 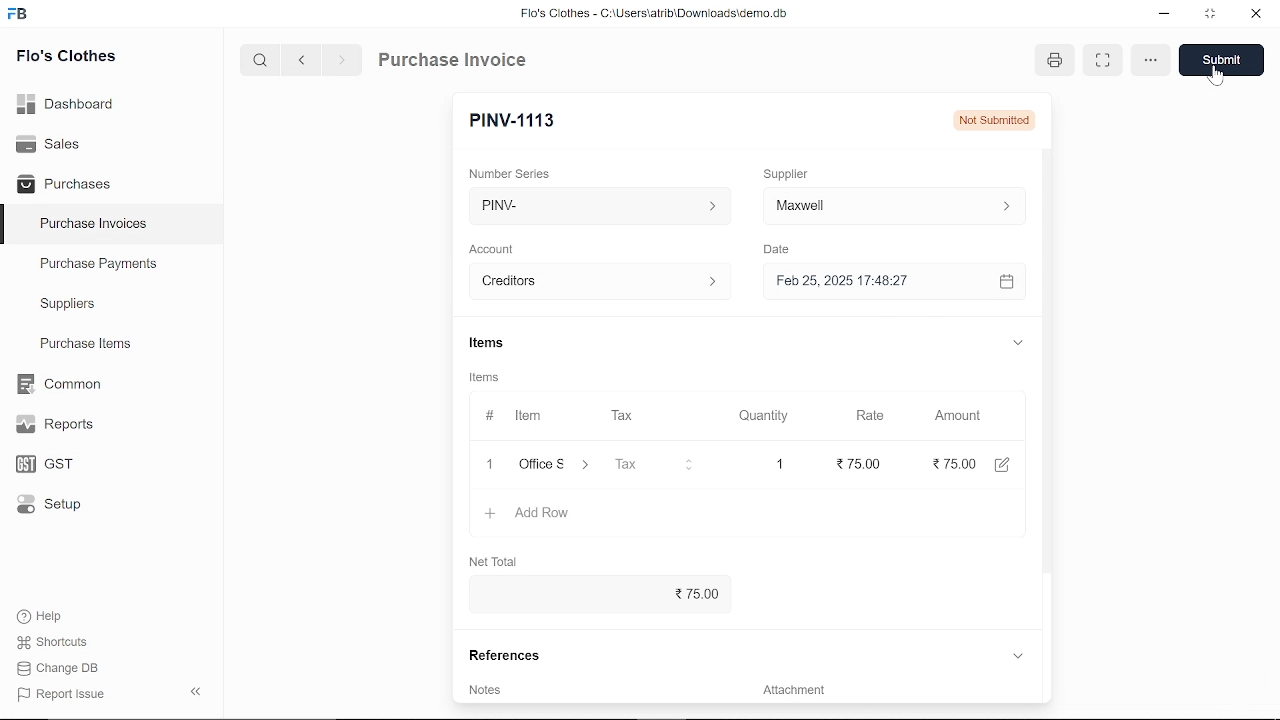 I want to click on previous, so click(x=303, y=62).